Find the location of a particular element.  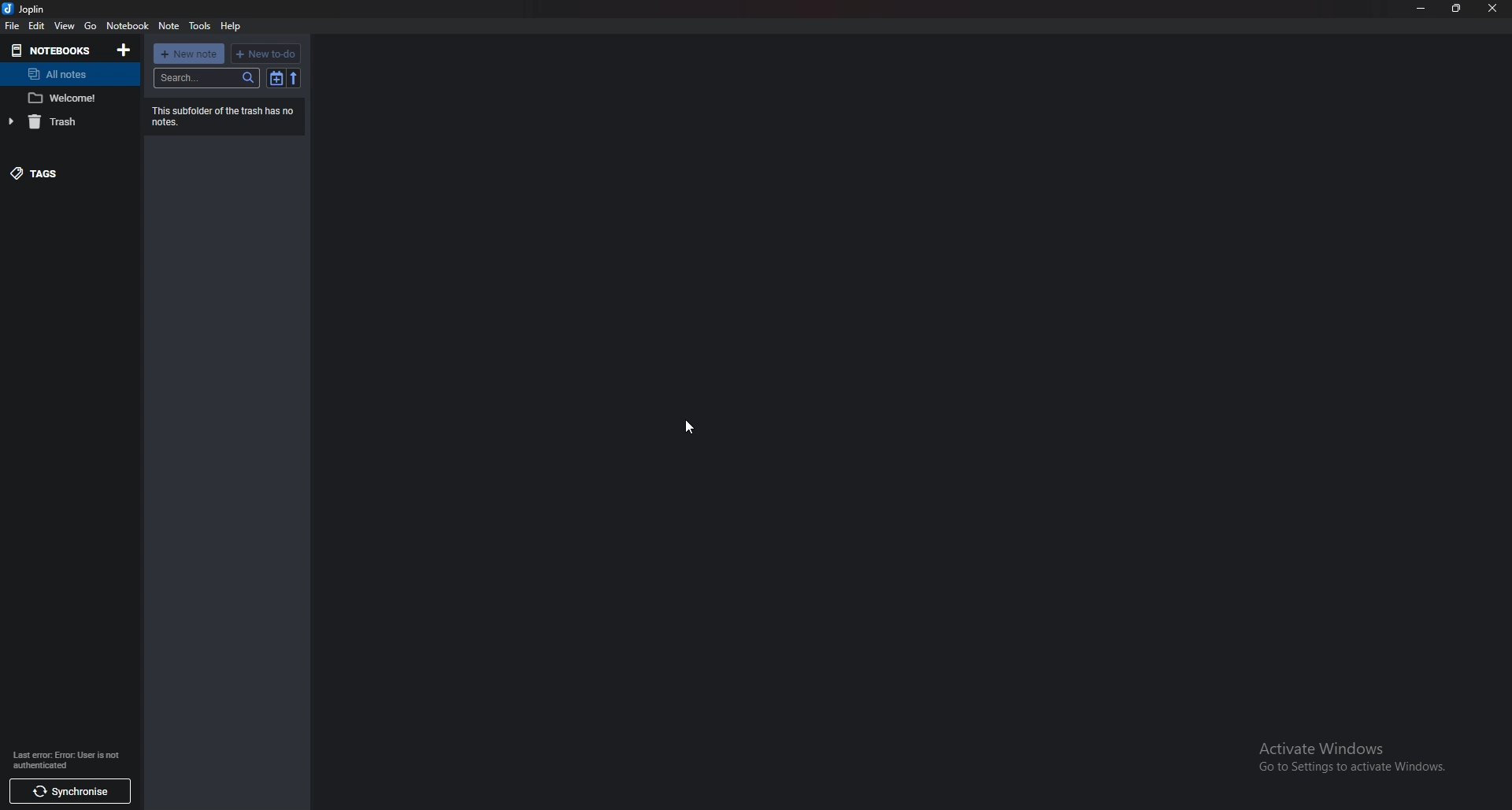

new note is located at coordinates (190, 54).